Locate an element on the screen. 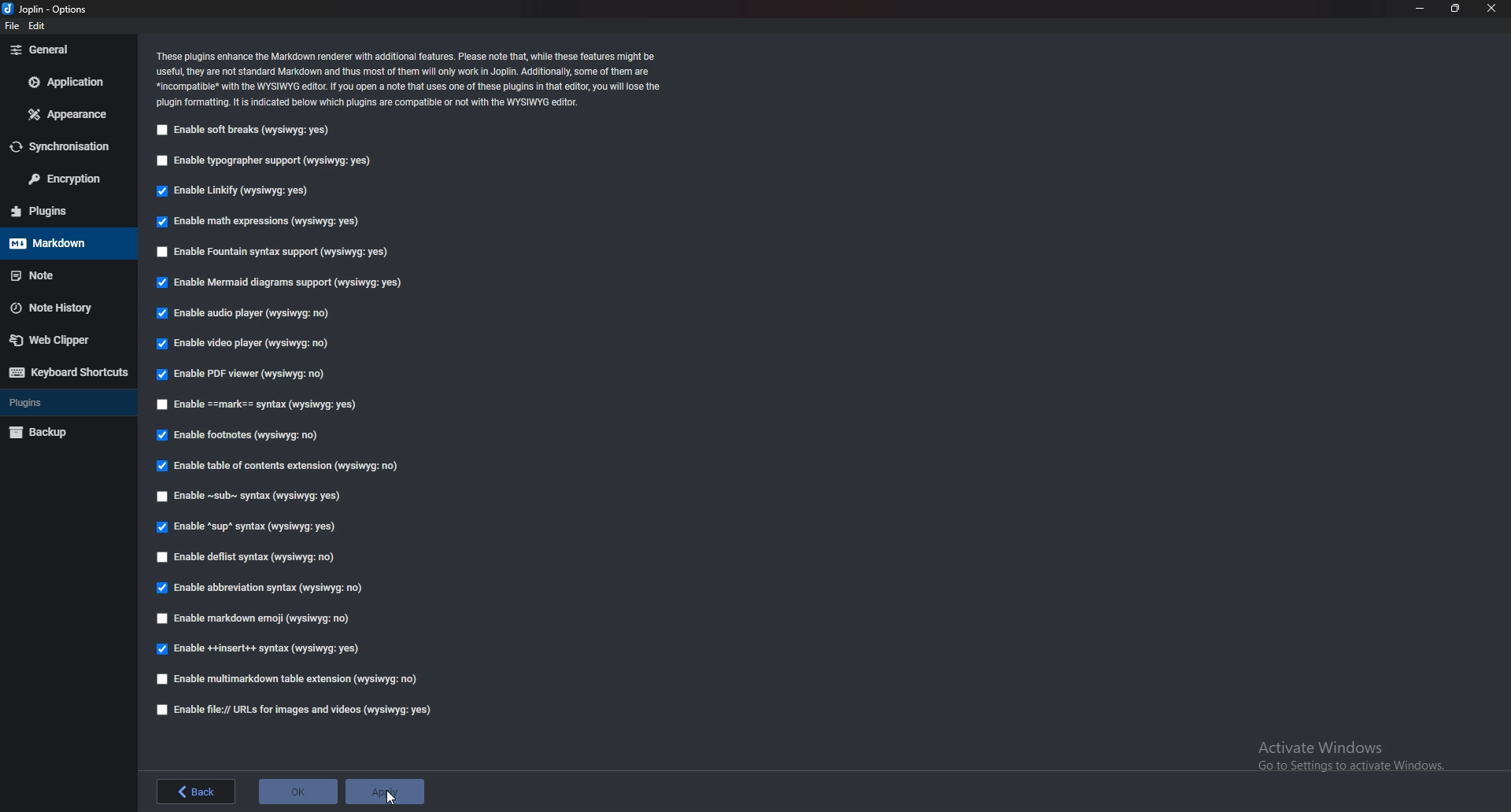 The image size is (1511, 812). Enable file urls for image and videos is located at coordinates (306, 709).